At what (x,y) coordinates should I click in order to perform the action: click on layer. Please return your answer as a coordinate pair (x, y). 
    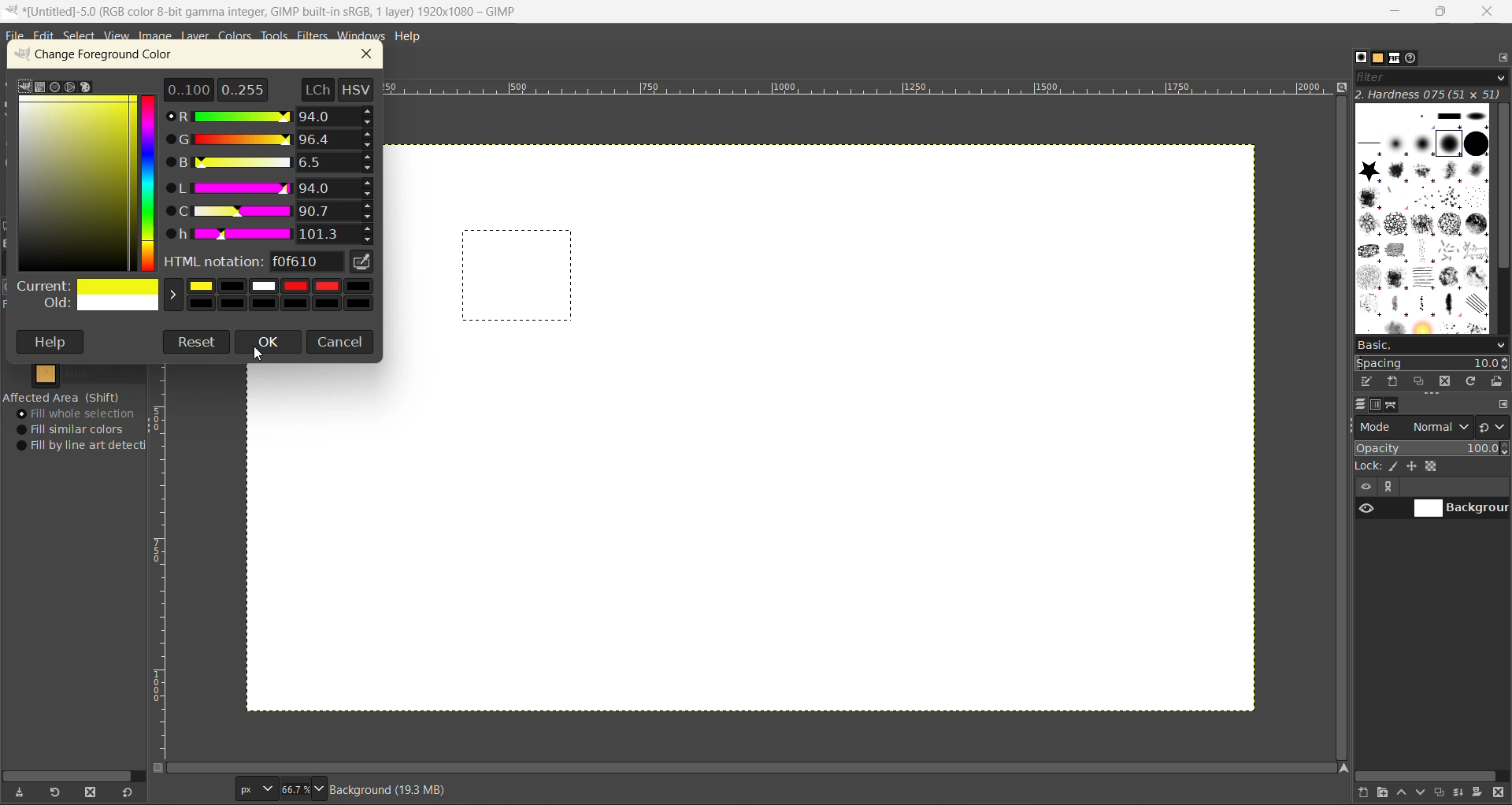
    Looking at the image, I should click on (196, 36).